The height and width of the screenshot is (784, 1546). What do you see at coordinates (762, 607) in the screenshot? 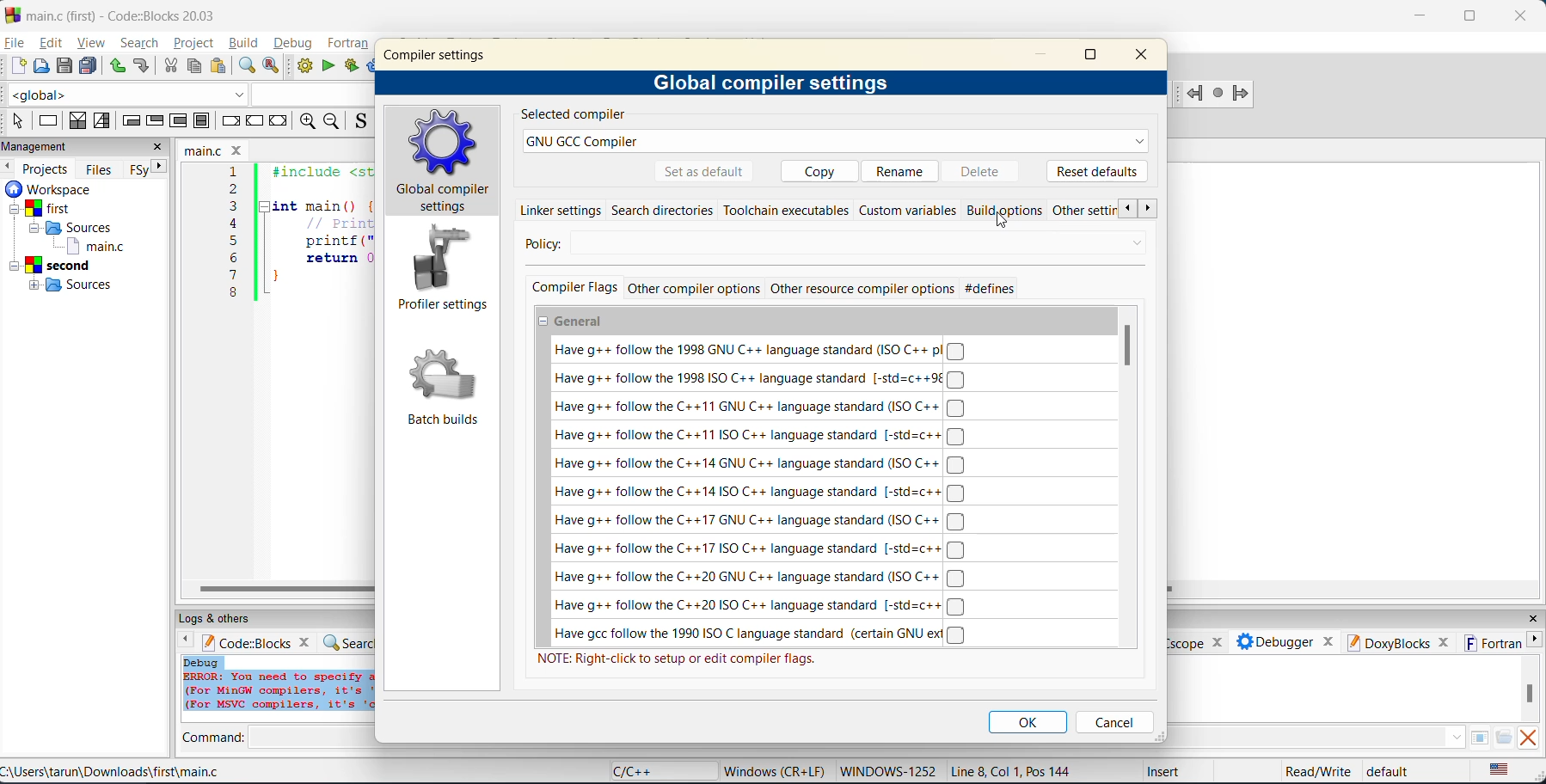
I see `Have g++ follow the C++20 ISO C++ language standard [-std=c++` at bounding box center [762, 607].